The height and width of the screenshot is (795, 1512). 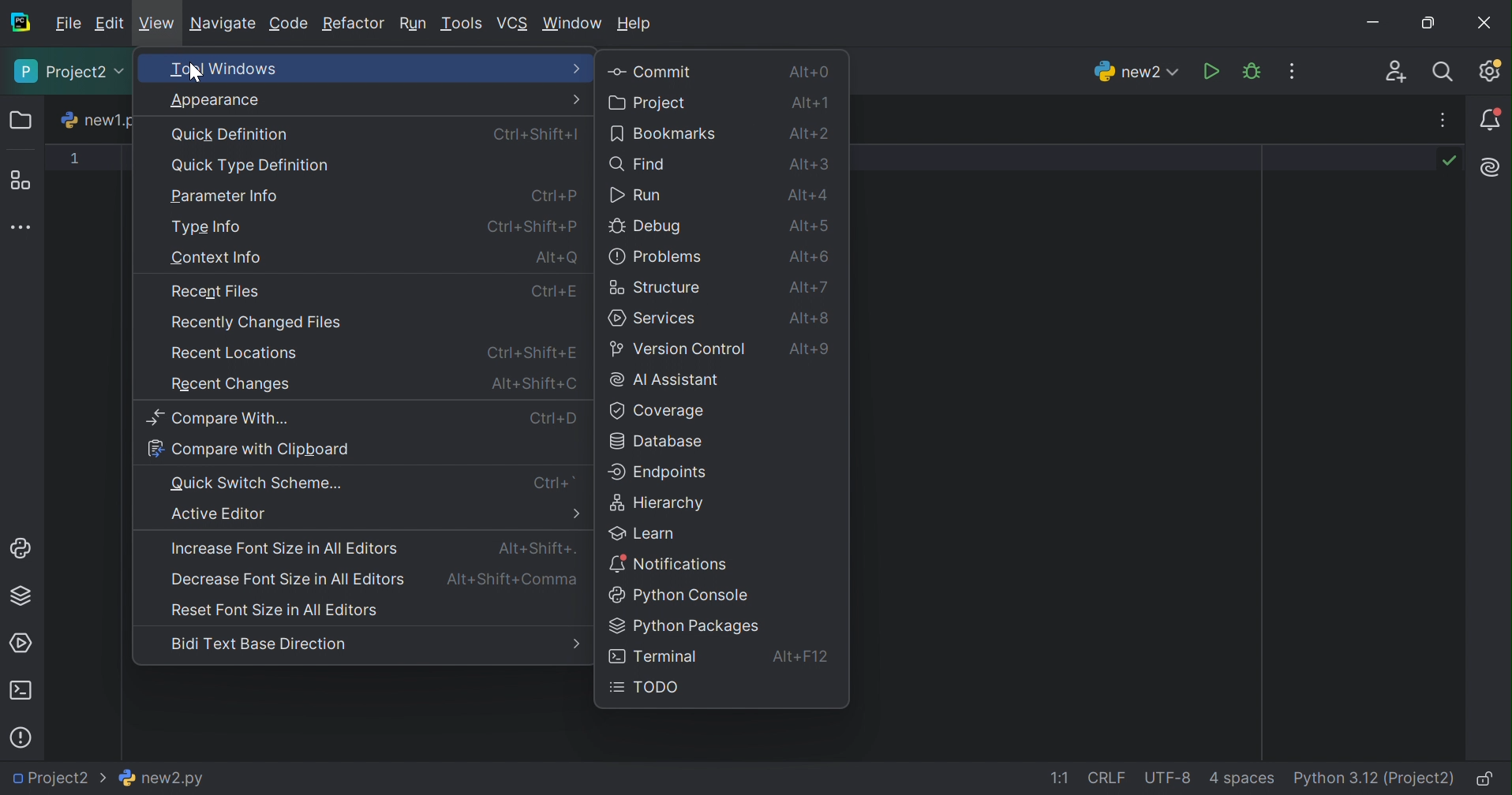 What do you see at coordinates (574, 99) in the screenshot?
I see `More` at bounding box center [574, 99].